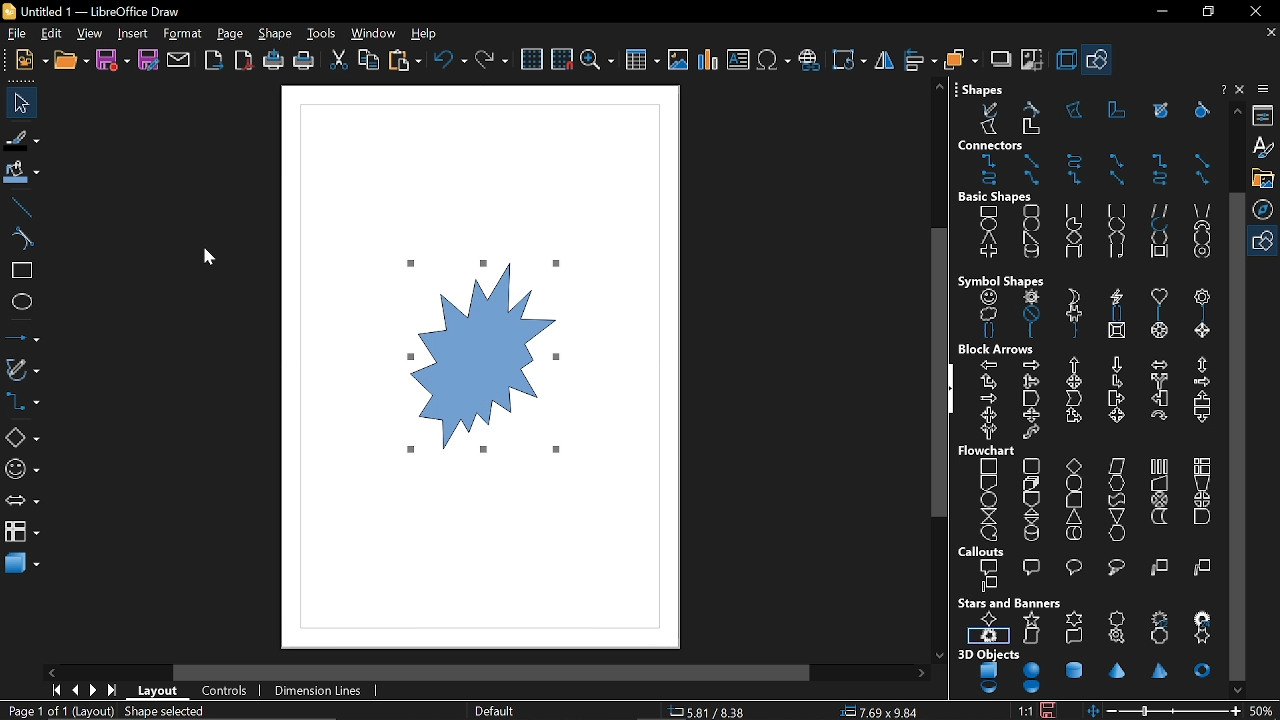 The image size is (1280, 720). Describe the element at coordinates (474, 355) in the screenshot. I see `Add a starburst shape with custom points added` at that location.